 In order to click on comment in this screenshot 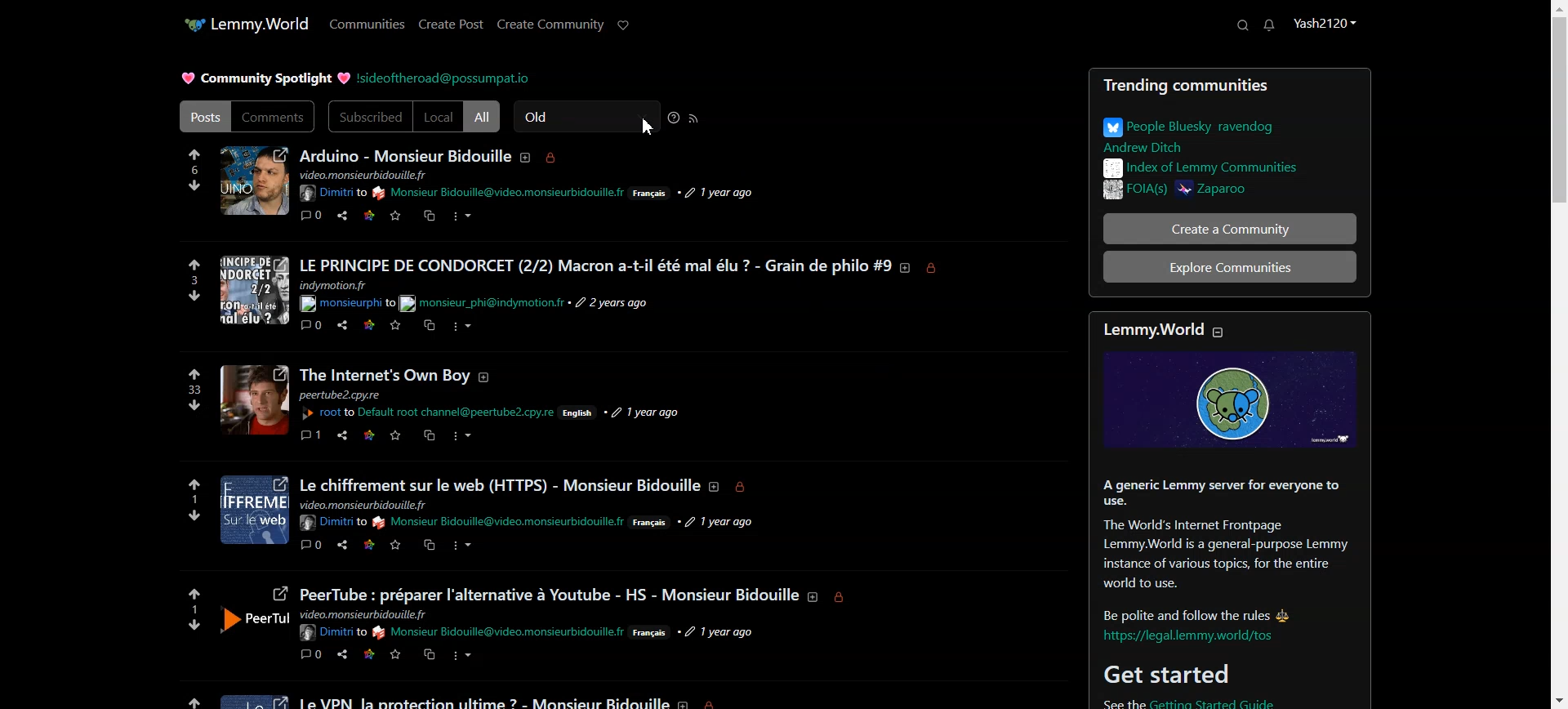, I will do `click(311, 653)`.